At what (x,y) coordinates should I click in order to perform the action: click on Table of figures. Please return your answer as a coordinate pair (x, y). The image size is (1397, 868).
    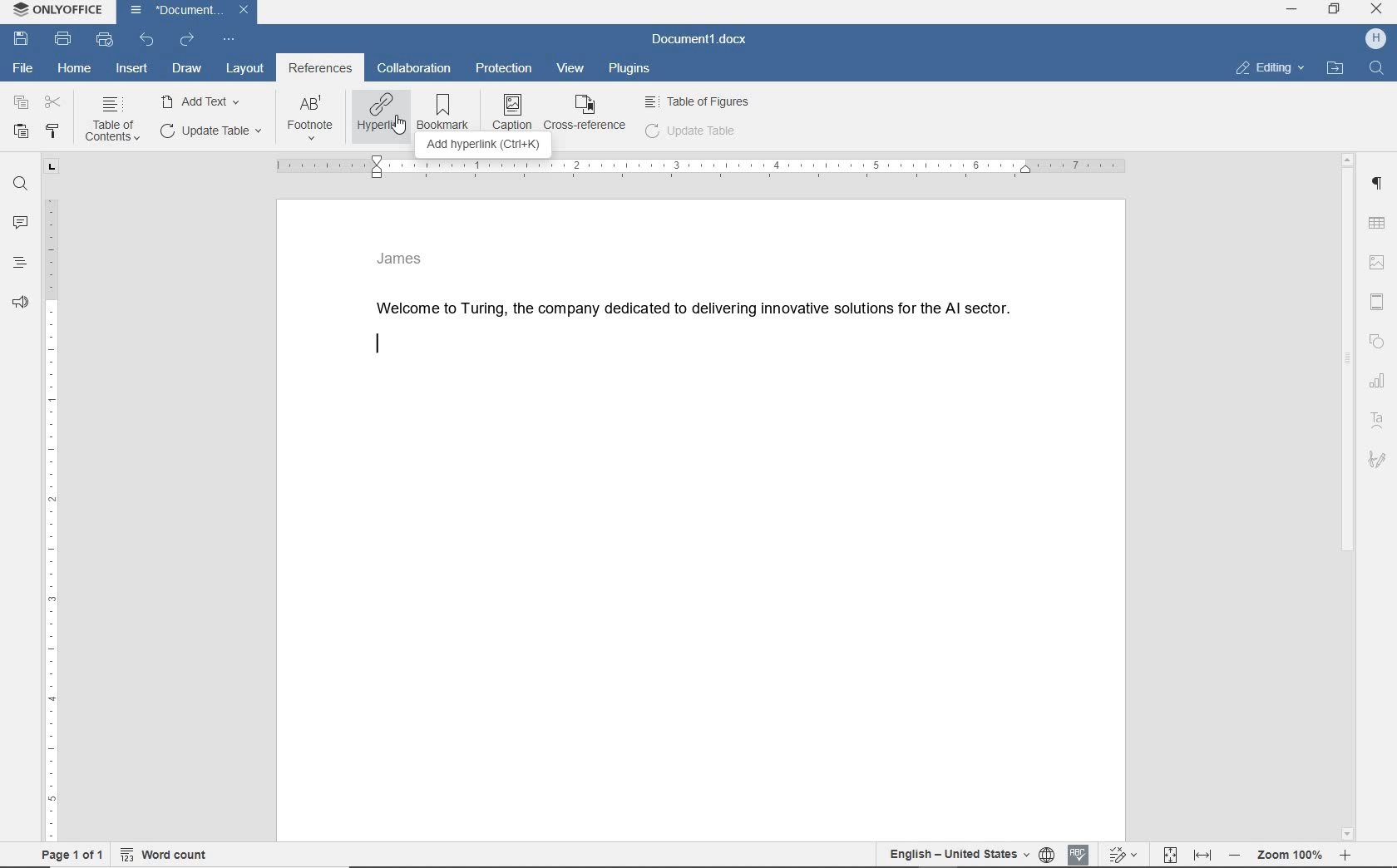
    Looking at the image, I should click on (698, 100).